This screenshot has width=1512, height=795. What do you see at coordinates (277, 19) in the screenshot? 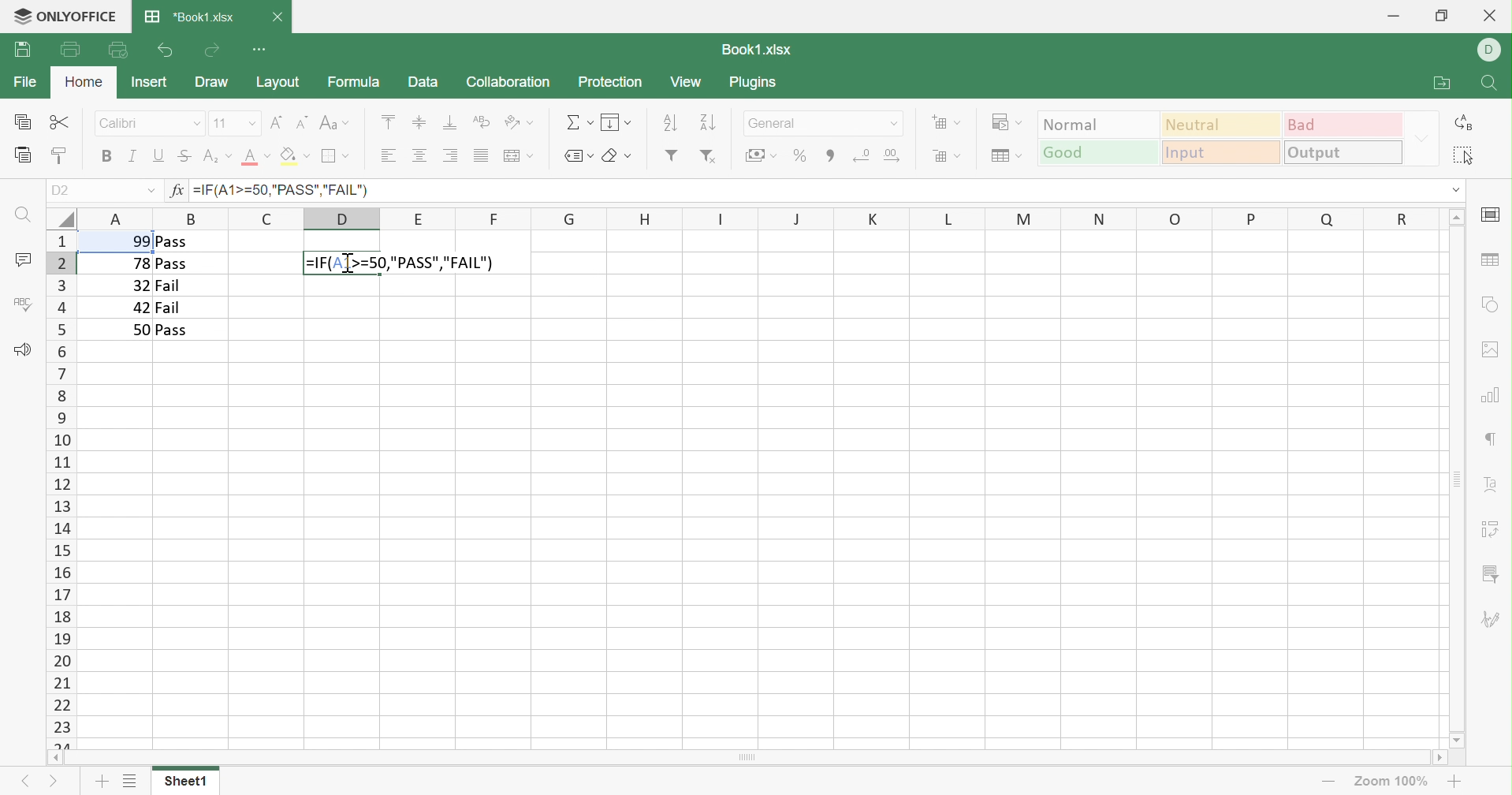
I see `Close` at bounding box center [277, 19].